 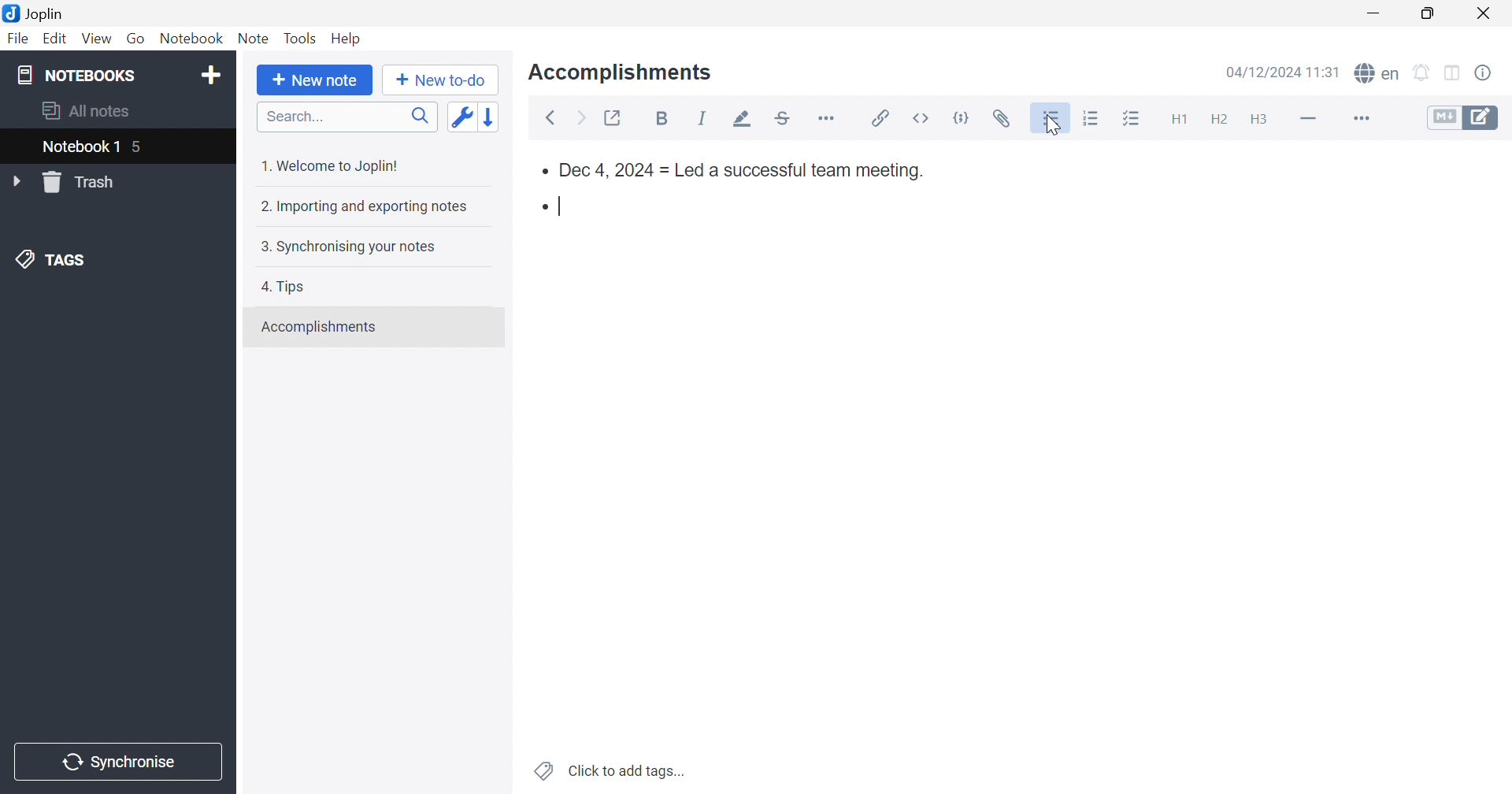 I want to click on inline code, so click(x=922, y=118).